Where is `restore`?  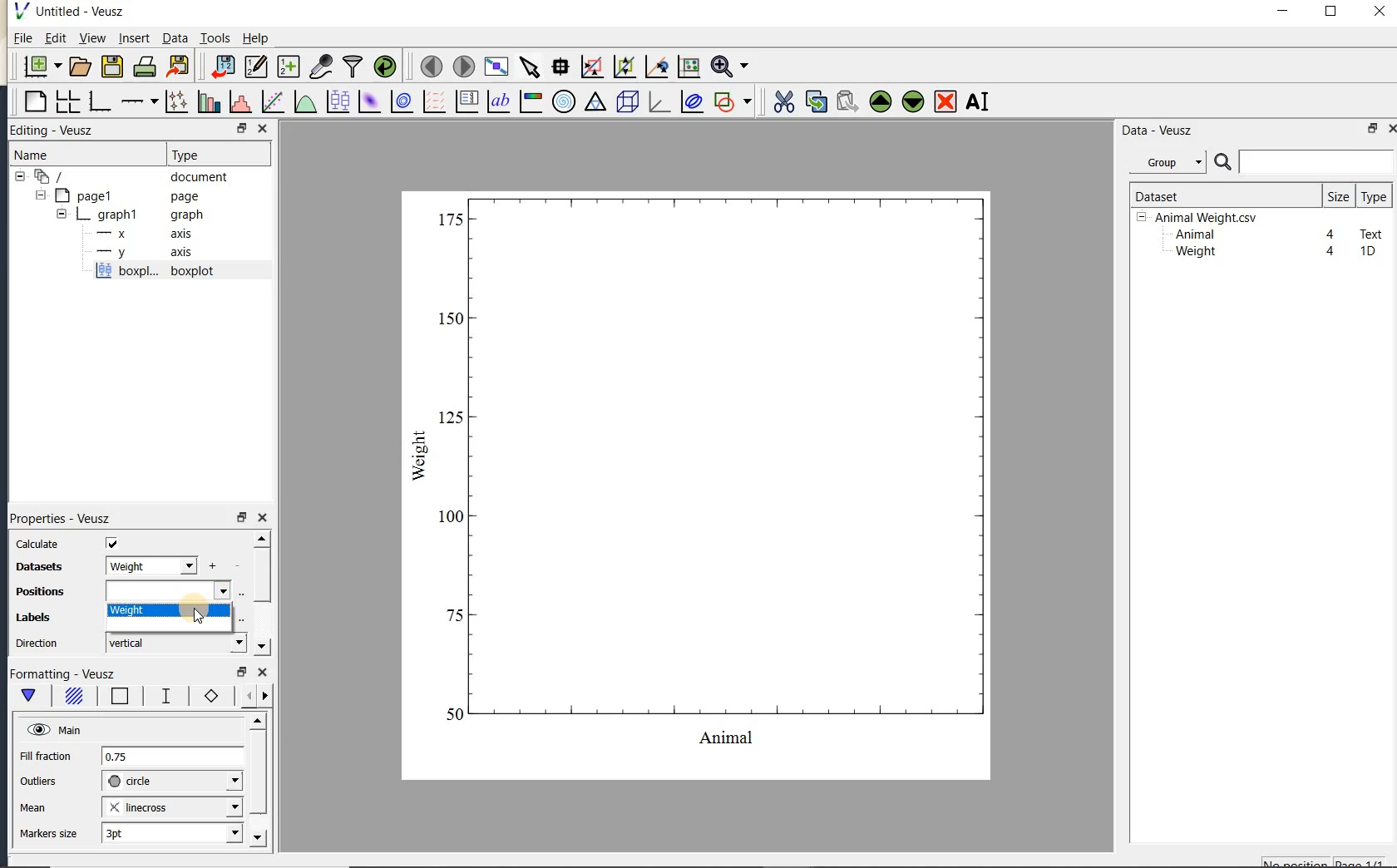
restore is located at coordinates (1374, 128).